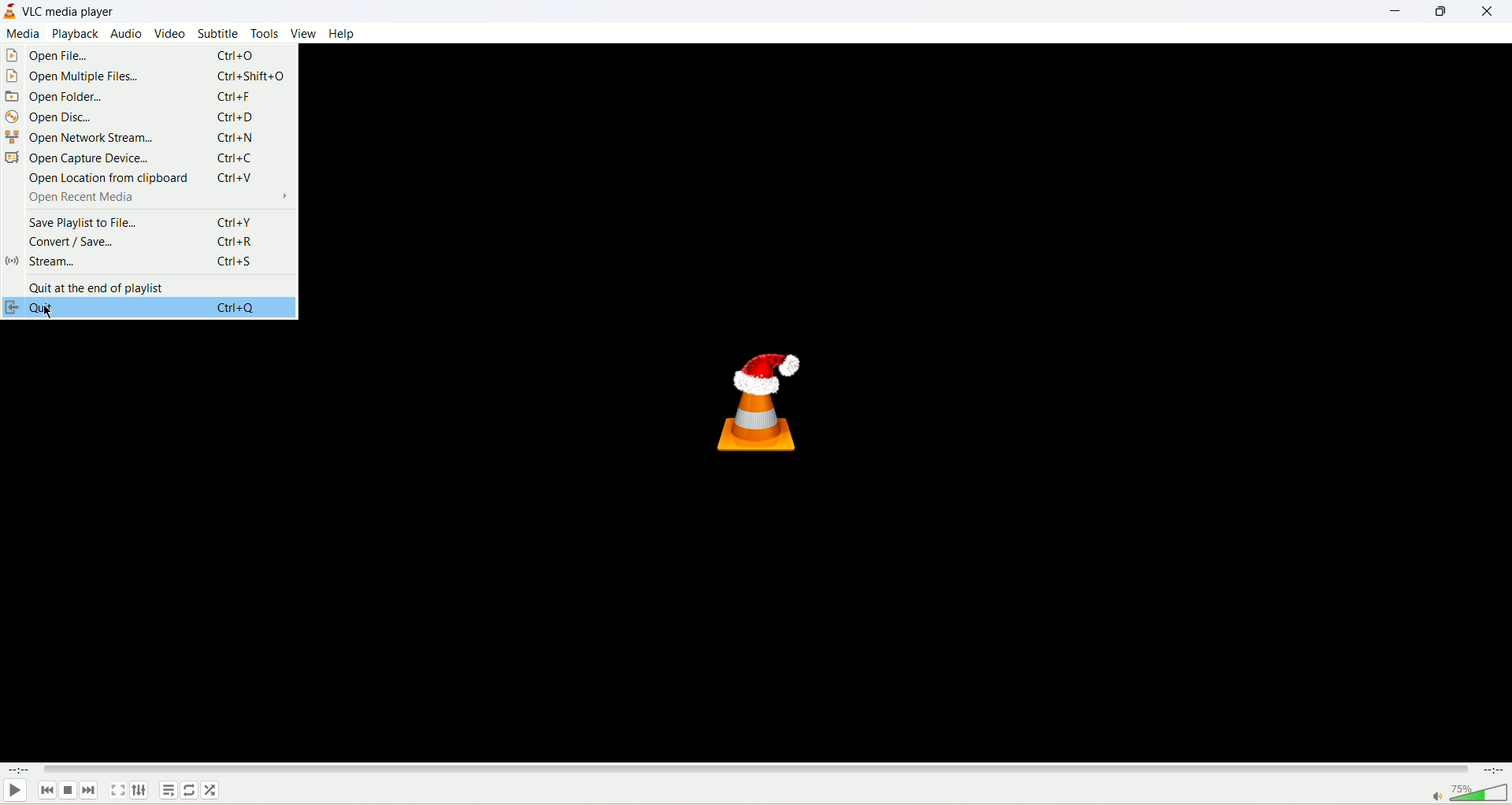 This screenshot has height=805, width=1512. Describe the element at coordinates (146, 137) in the screenshot. I see `open network stream` at that location.